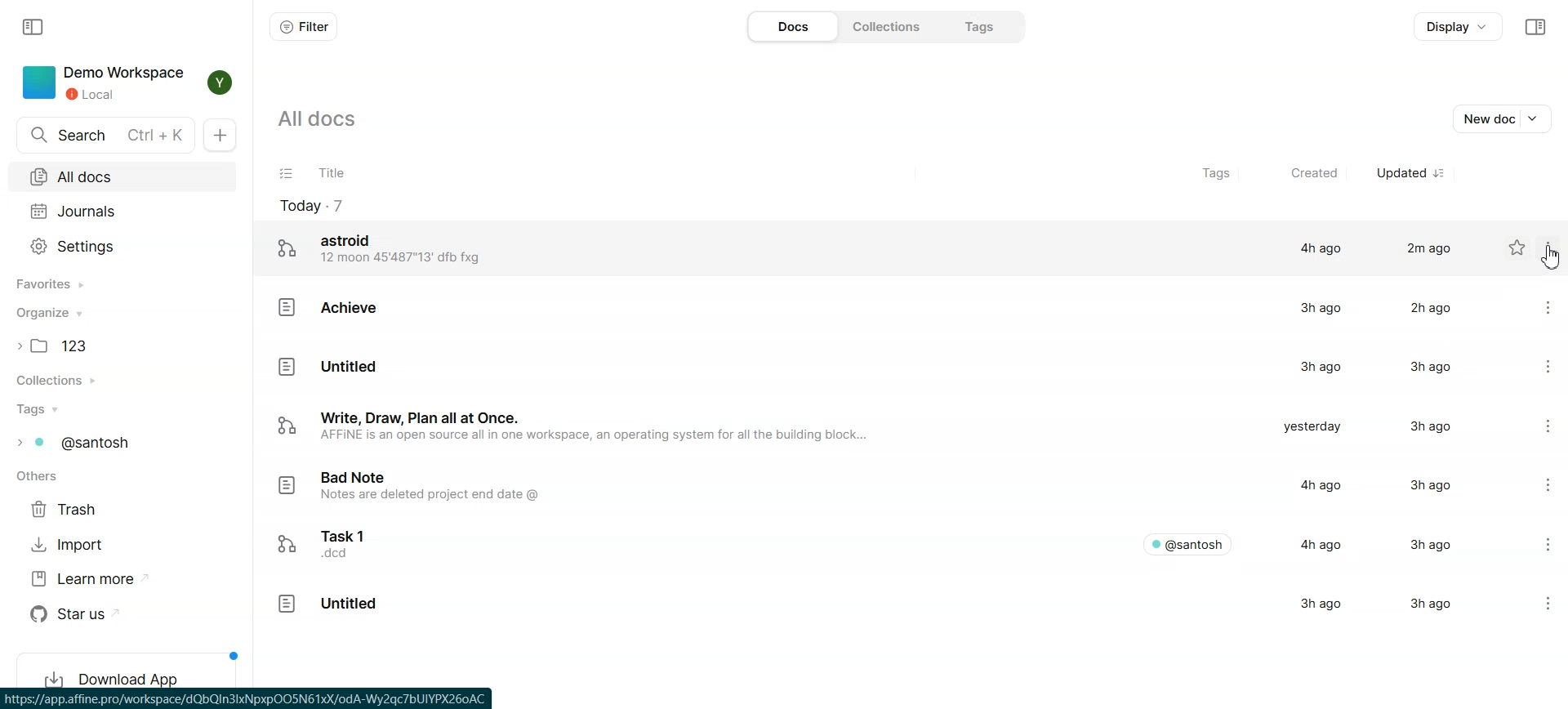  Describe the element at coordinates (1535, 597) in the screenshot. I see `Settings` at that location.